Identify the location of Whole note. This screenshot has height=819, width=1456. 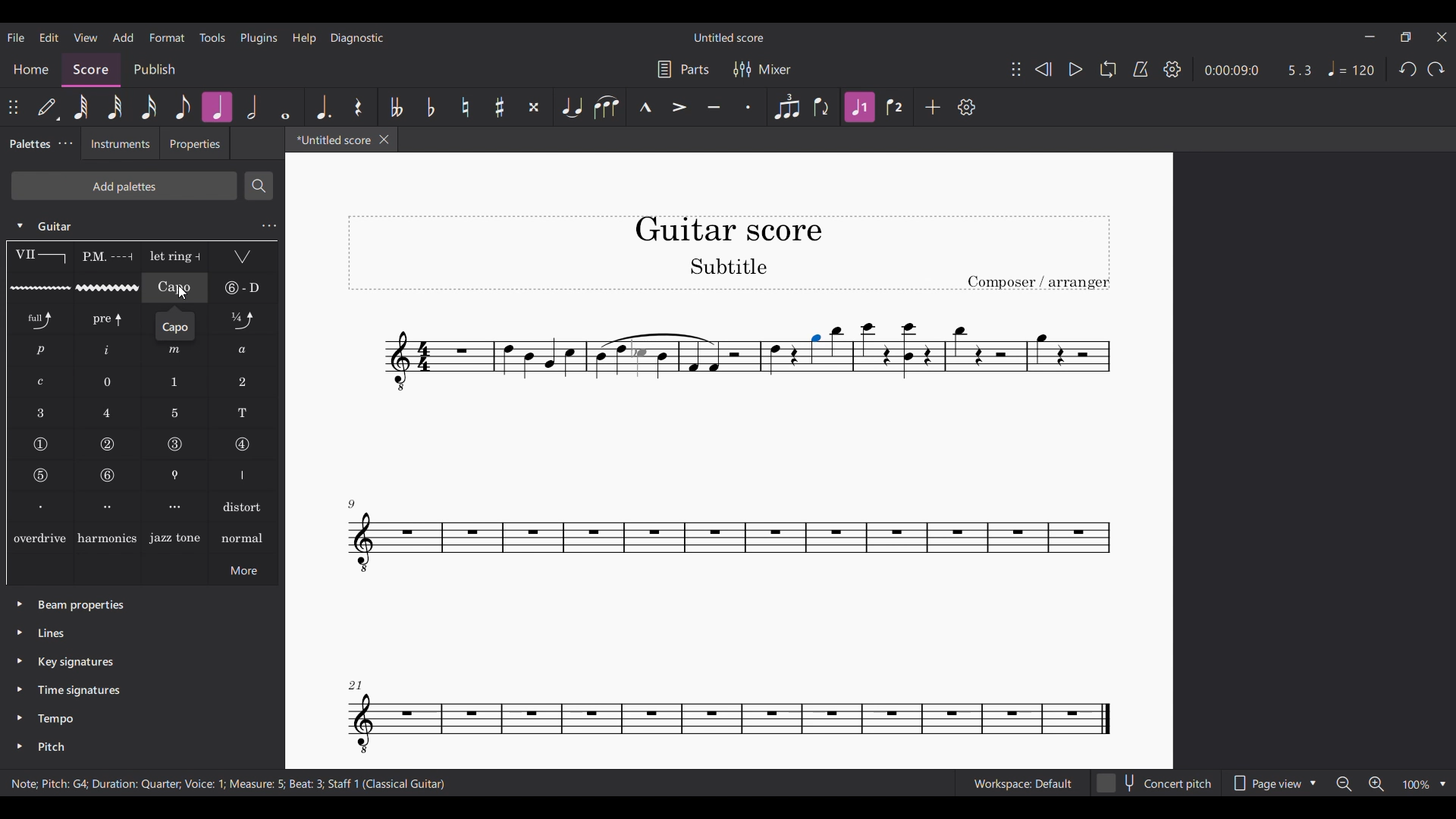
(285, 107).